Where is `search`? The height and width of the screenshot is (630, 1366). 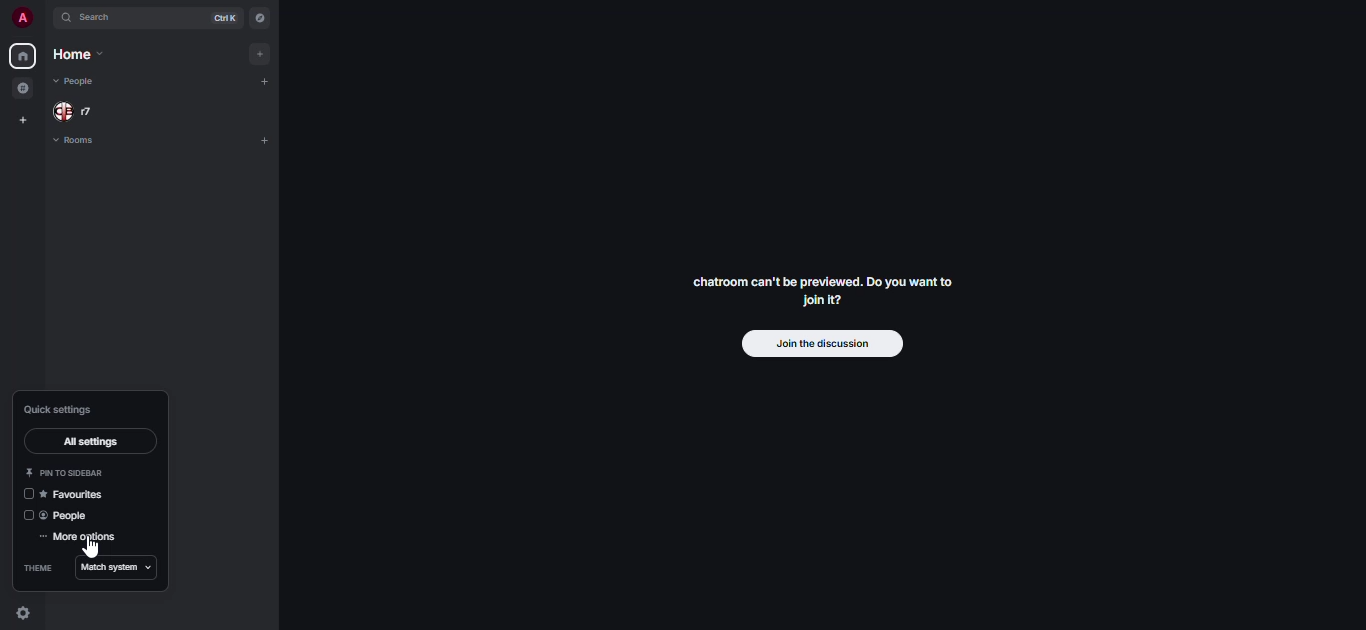 search is located at coordinates (101, 20).